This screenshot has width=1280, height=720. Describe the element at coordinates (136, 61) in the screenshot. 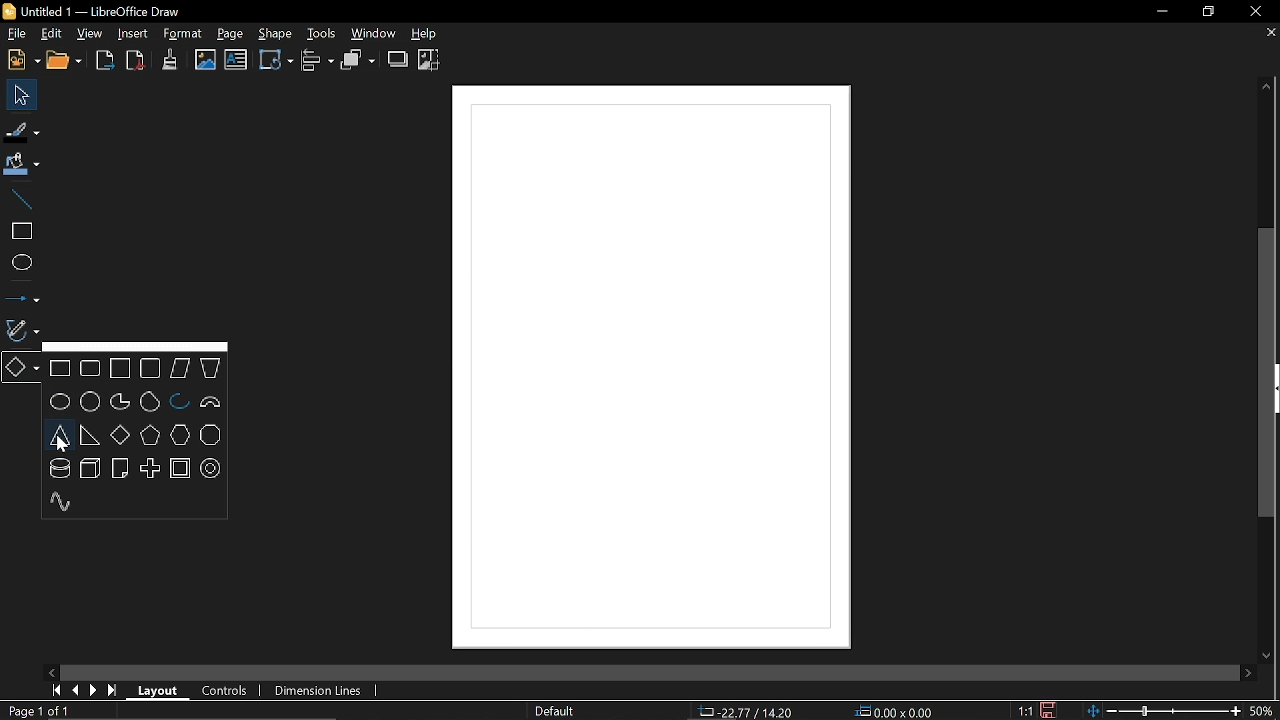

I see `Export as pdf` at that location.